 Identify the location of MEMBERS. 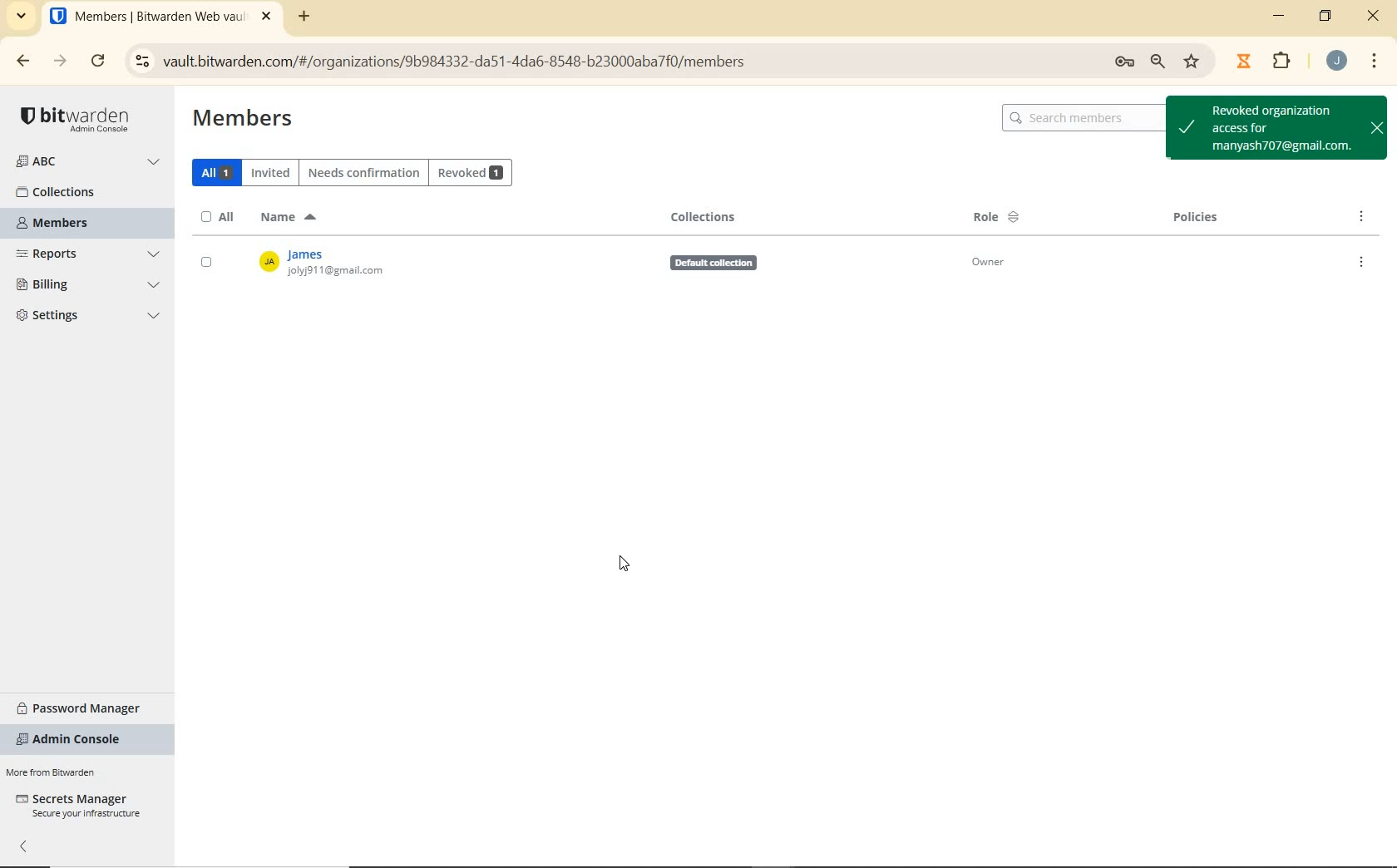
(243, 120).